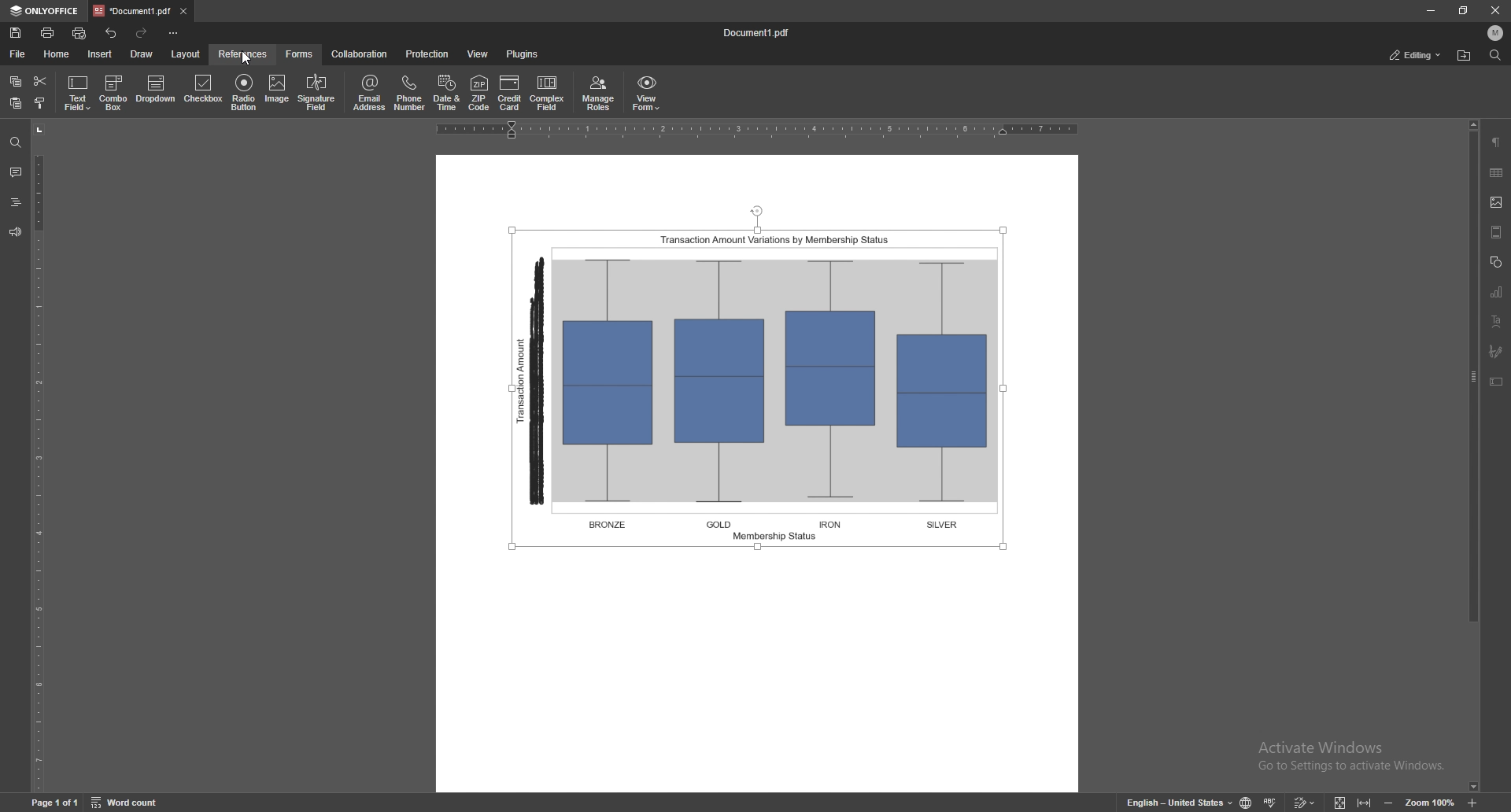 Image resolution: width=1511 pixels, height=812 pixels. I want to click on change doc language, so click(1248, 802).